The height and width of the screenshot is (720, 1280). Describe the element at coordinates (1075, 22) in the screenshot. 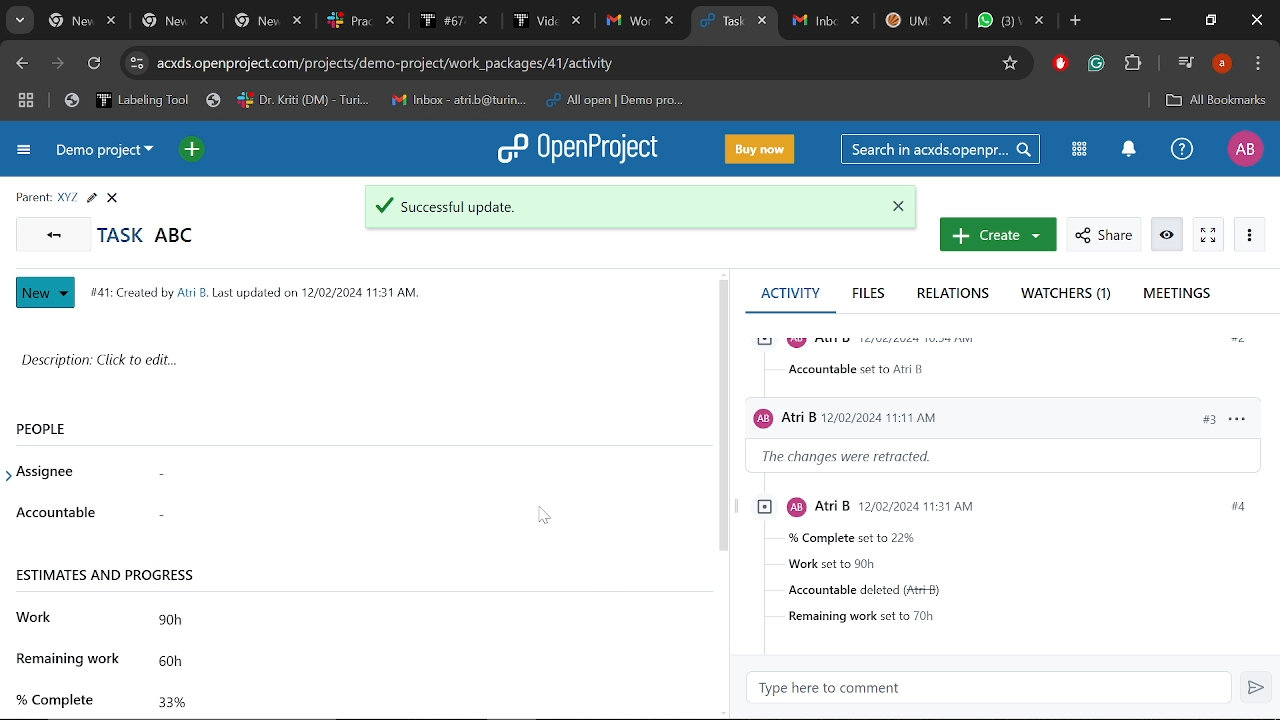

I see `Add new tab` at that location.